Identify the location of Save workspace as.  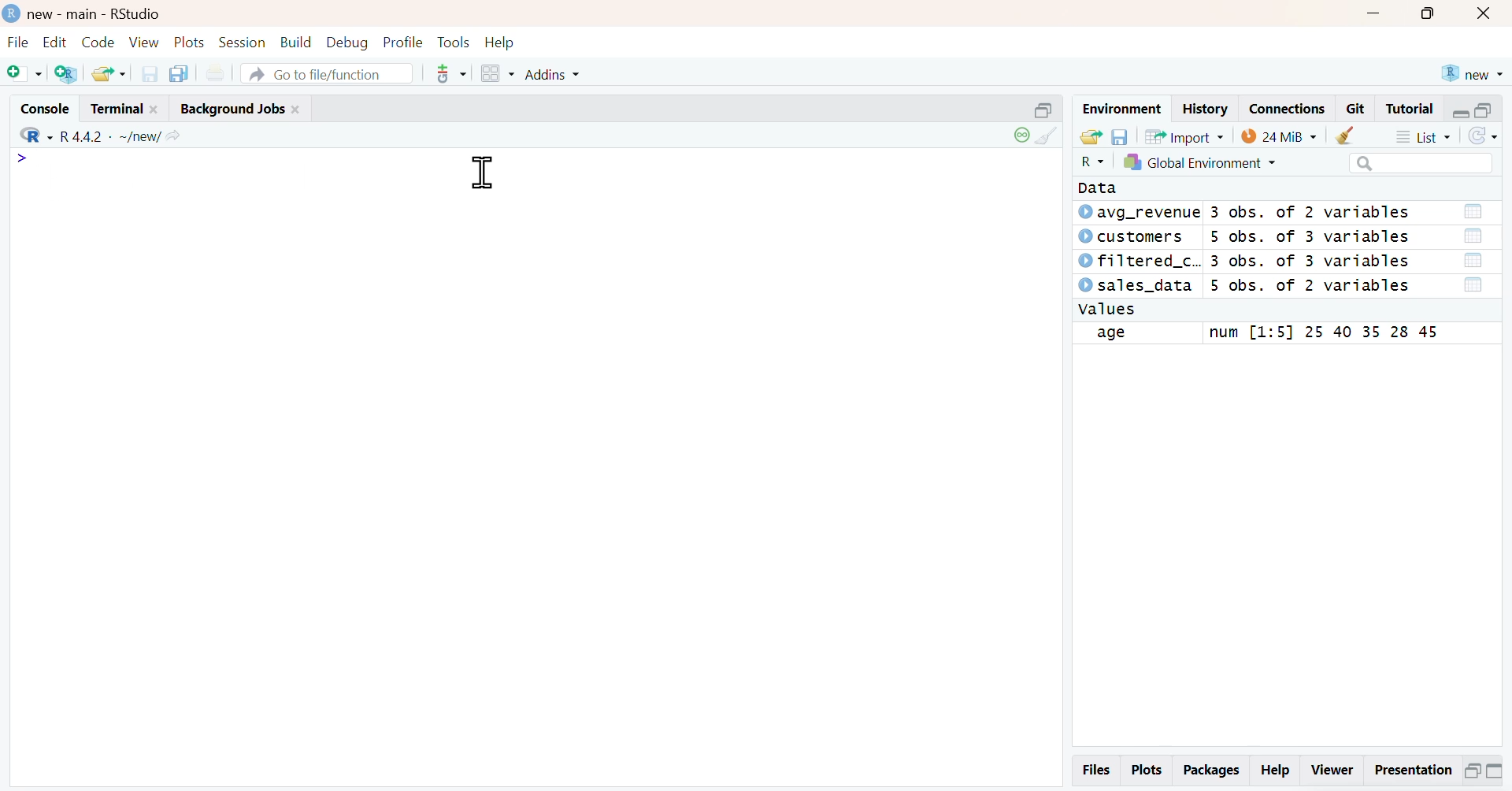
(1120, 137).